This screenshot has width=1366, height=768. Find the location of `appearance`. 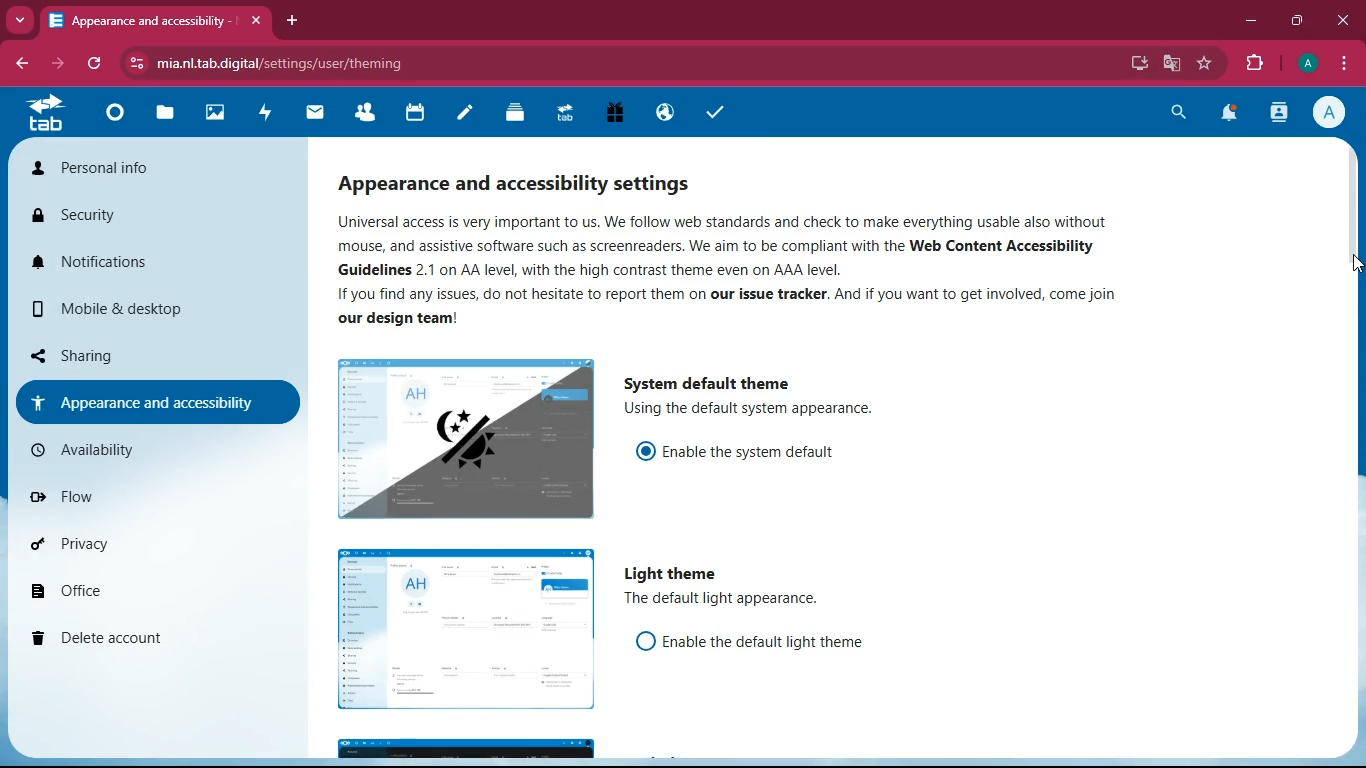

appearance is located at coordinates (155, 401).